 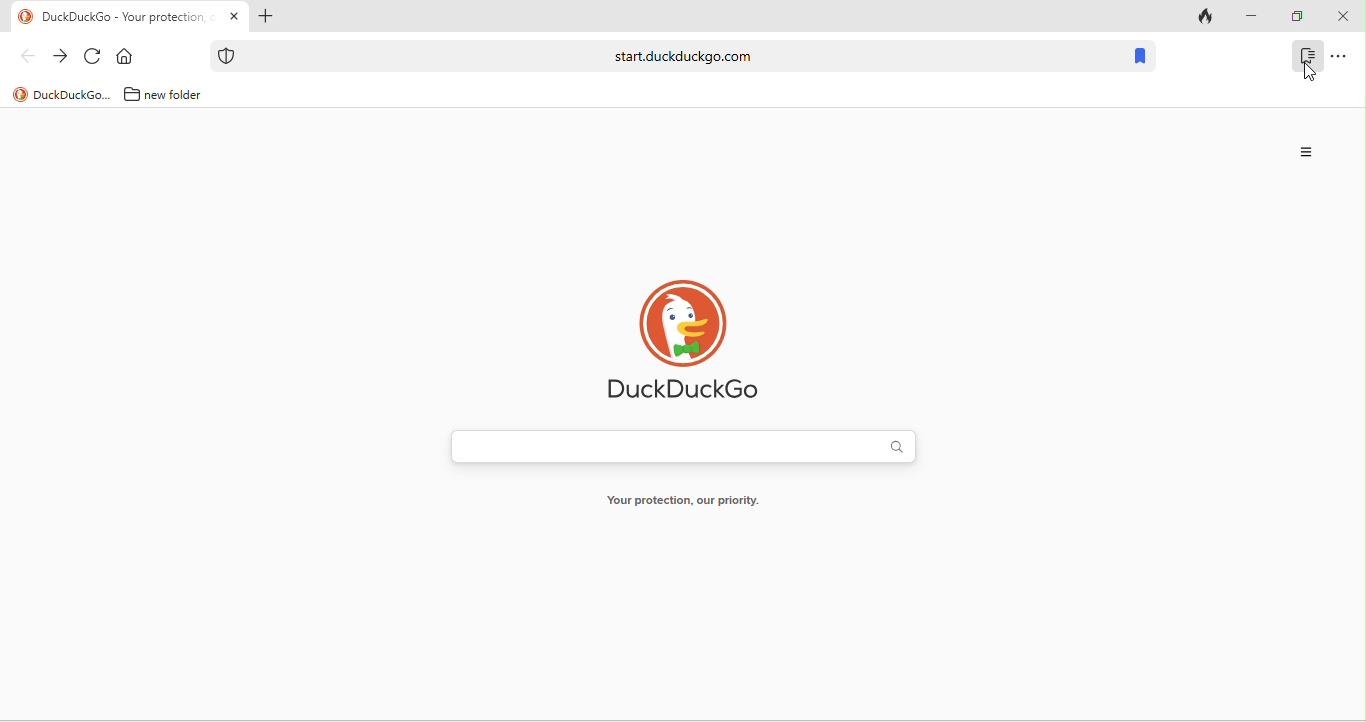 What do you see at coordinates (1313, 75) in the screenshot?
I see `cursor` at bounding box center [1313, 75].